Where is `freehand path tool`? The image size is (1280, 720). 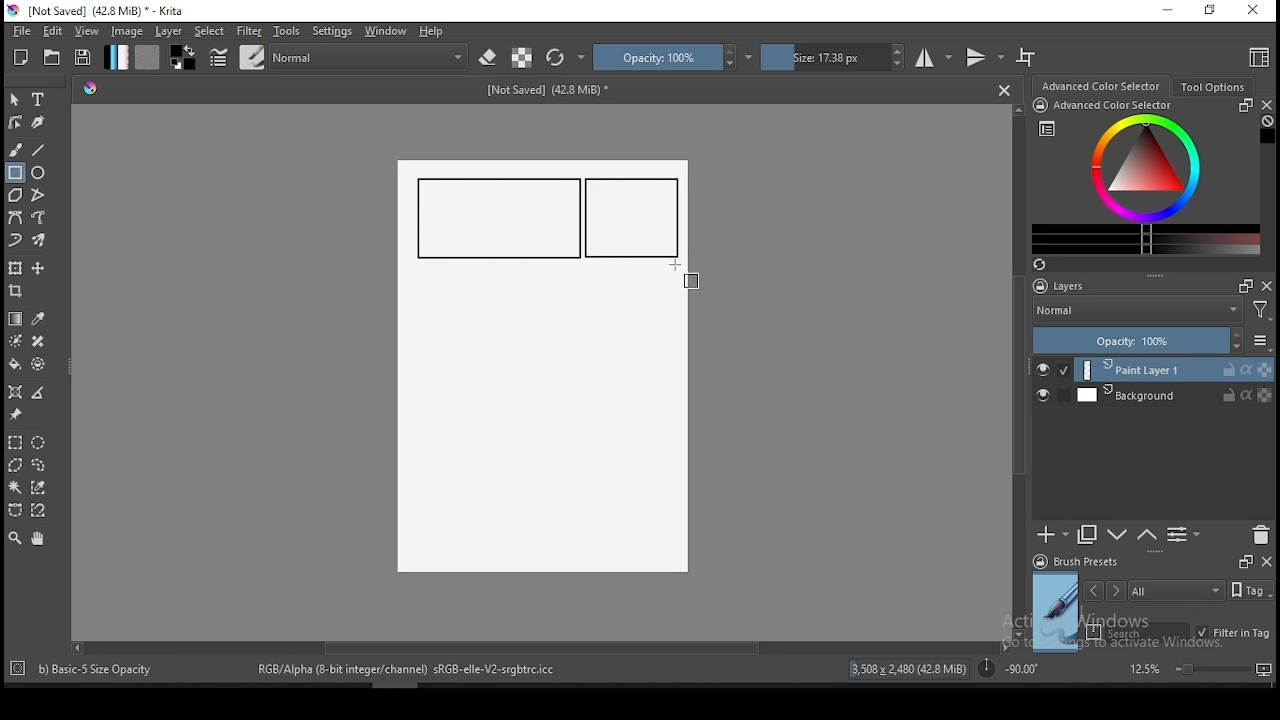 freehand path tool is located at coordinates (40, 218).